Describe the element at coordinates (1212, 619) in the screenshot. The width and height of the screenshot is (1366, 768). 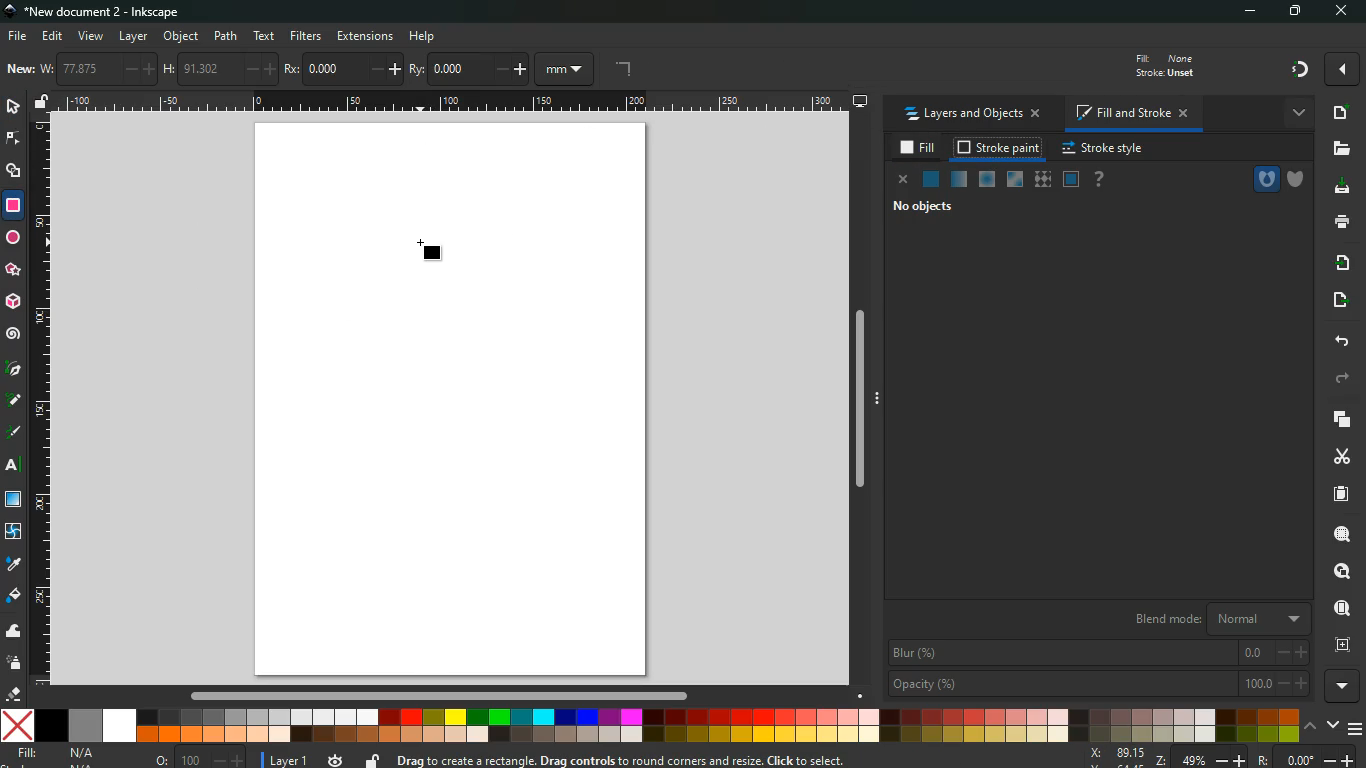
I see `blend mode` at that location.